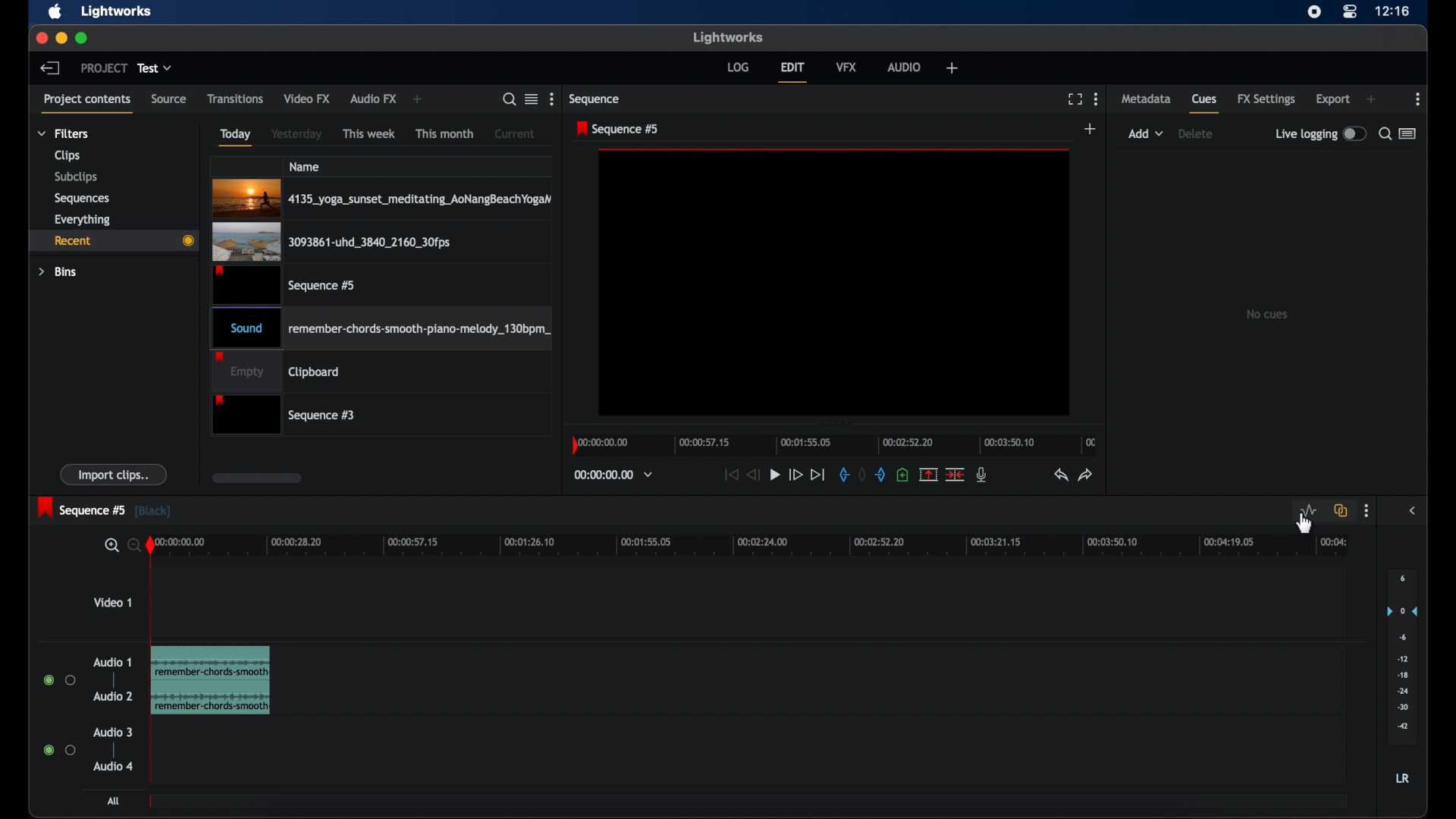 The height and width of the screenshot is (819, 1456). I want to click on all, so click(115, 801).